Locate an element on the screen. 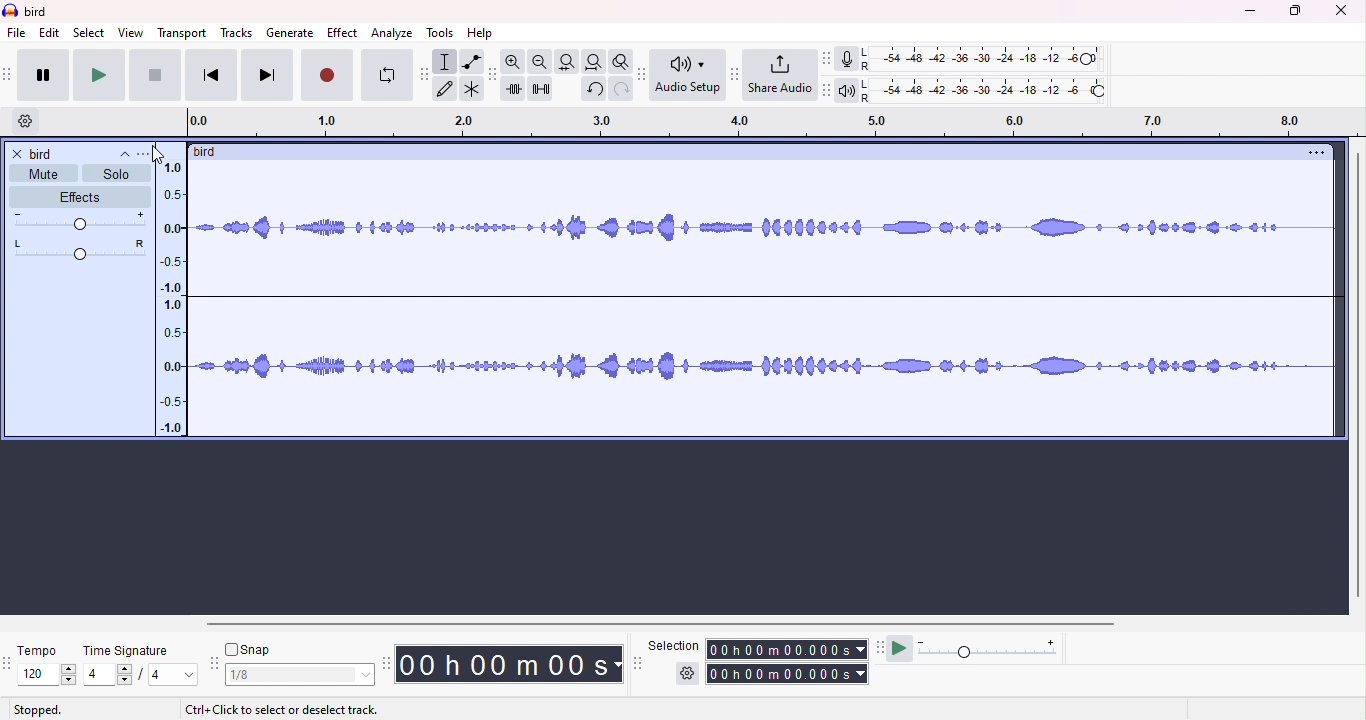 This screenshot has width=1366, height=720. options is located at coordinates (143, 156).